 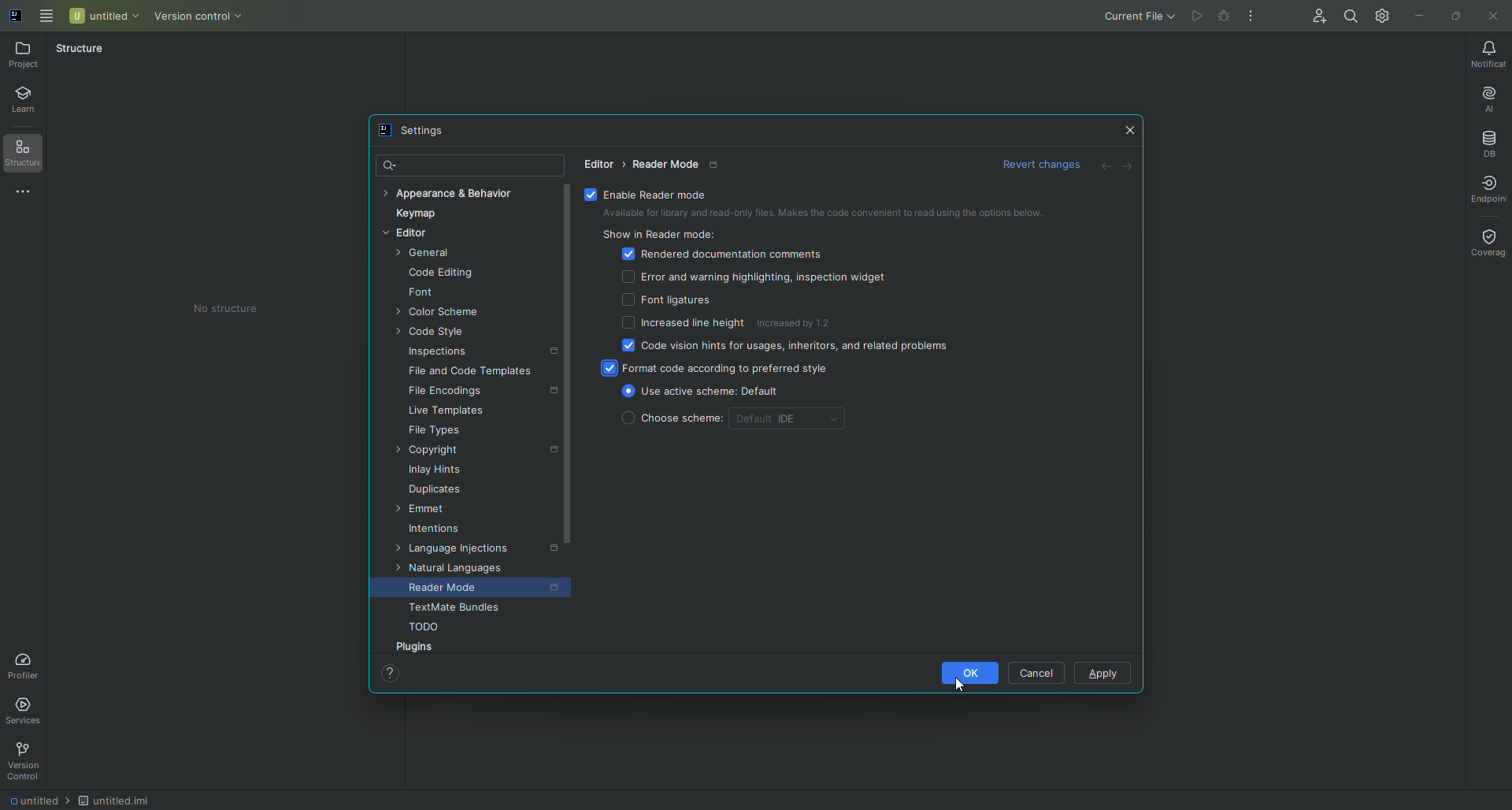 I want to click on General, so click(x=424, y=255).